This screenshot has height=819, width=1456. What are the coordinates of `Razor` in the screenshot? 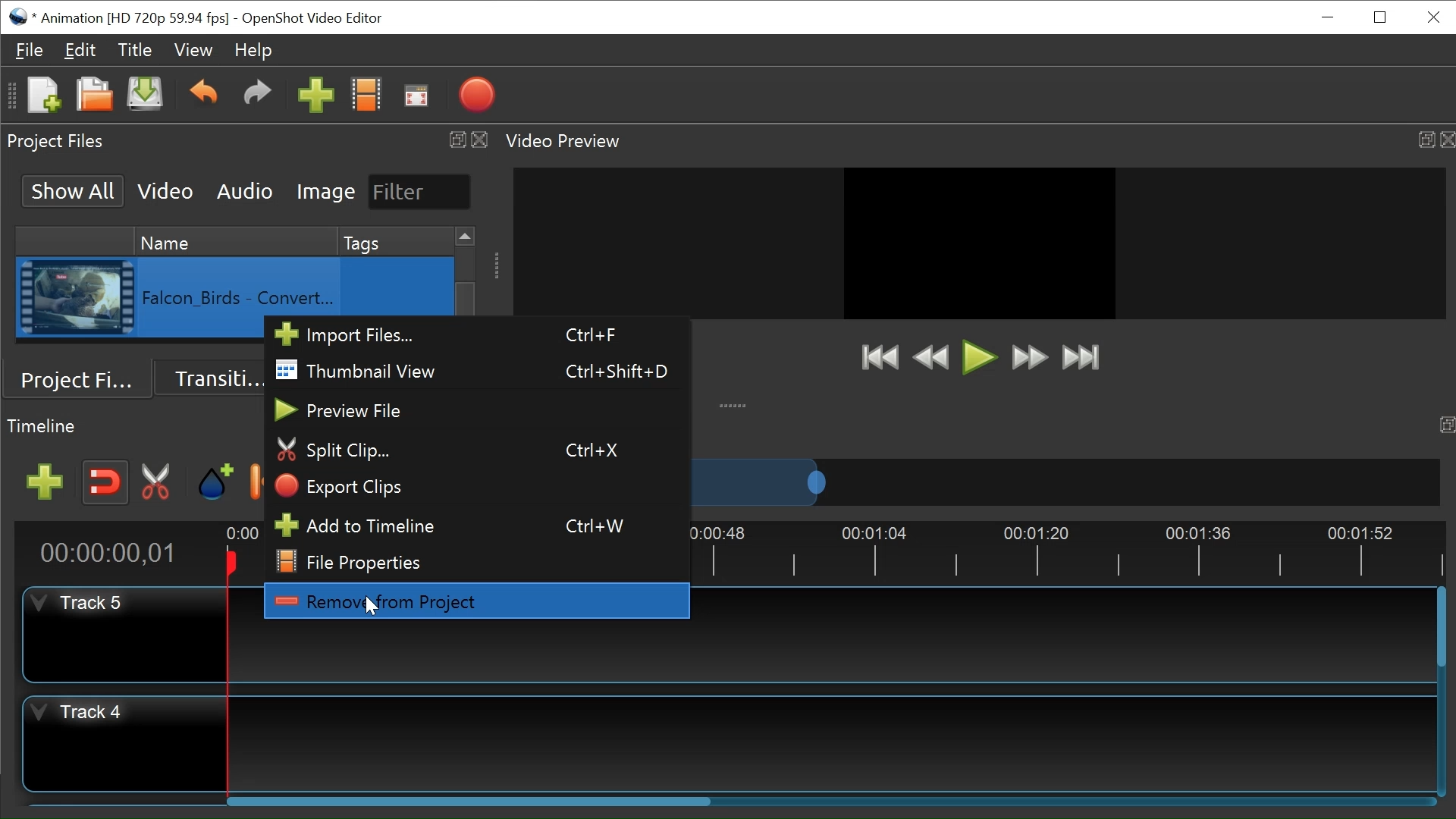 It's located at (160, 482).